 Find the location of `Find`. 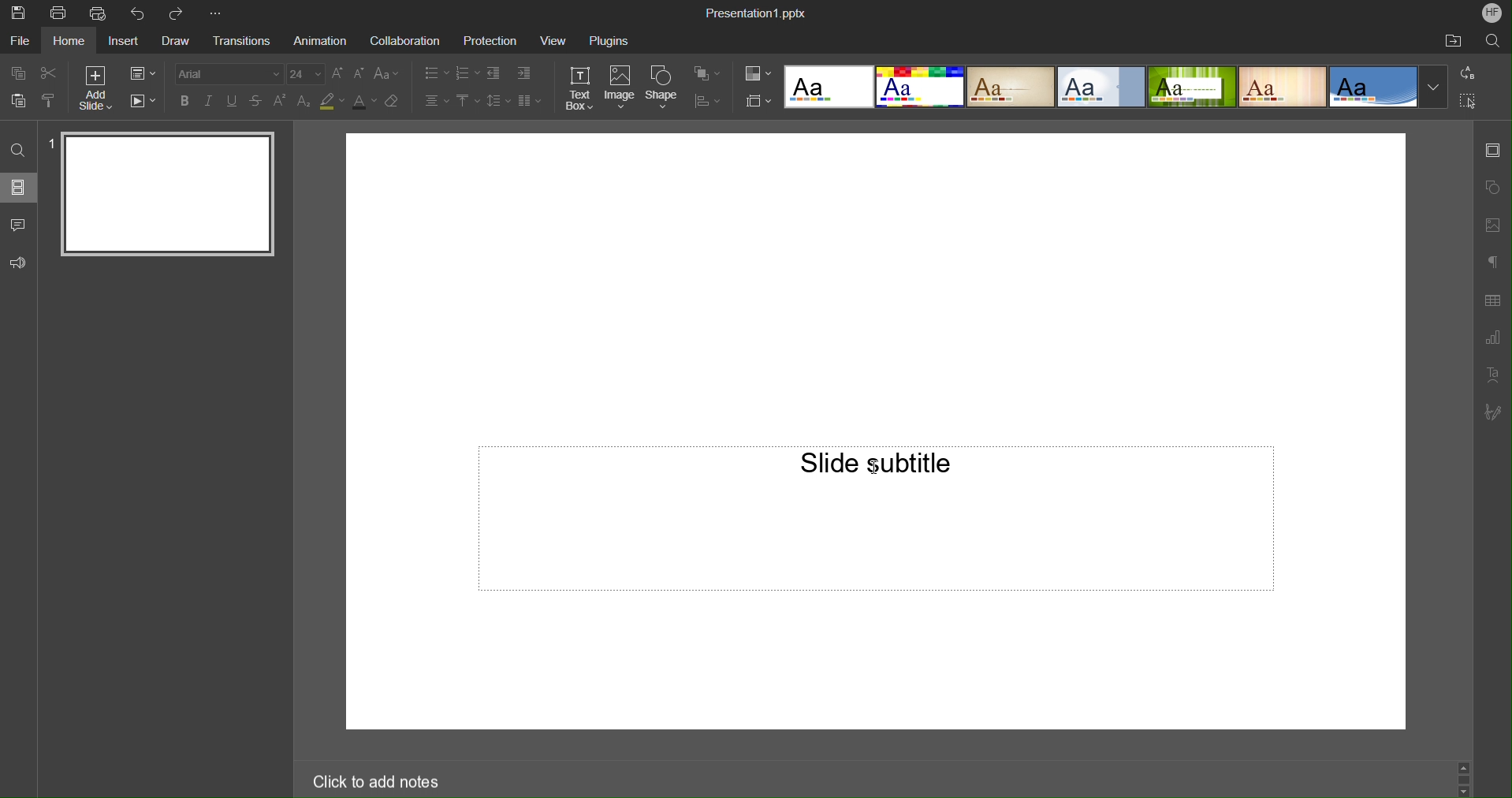

Find is located at coordinates (15, 150).